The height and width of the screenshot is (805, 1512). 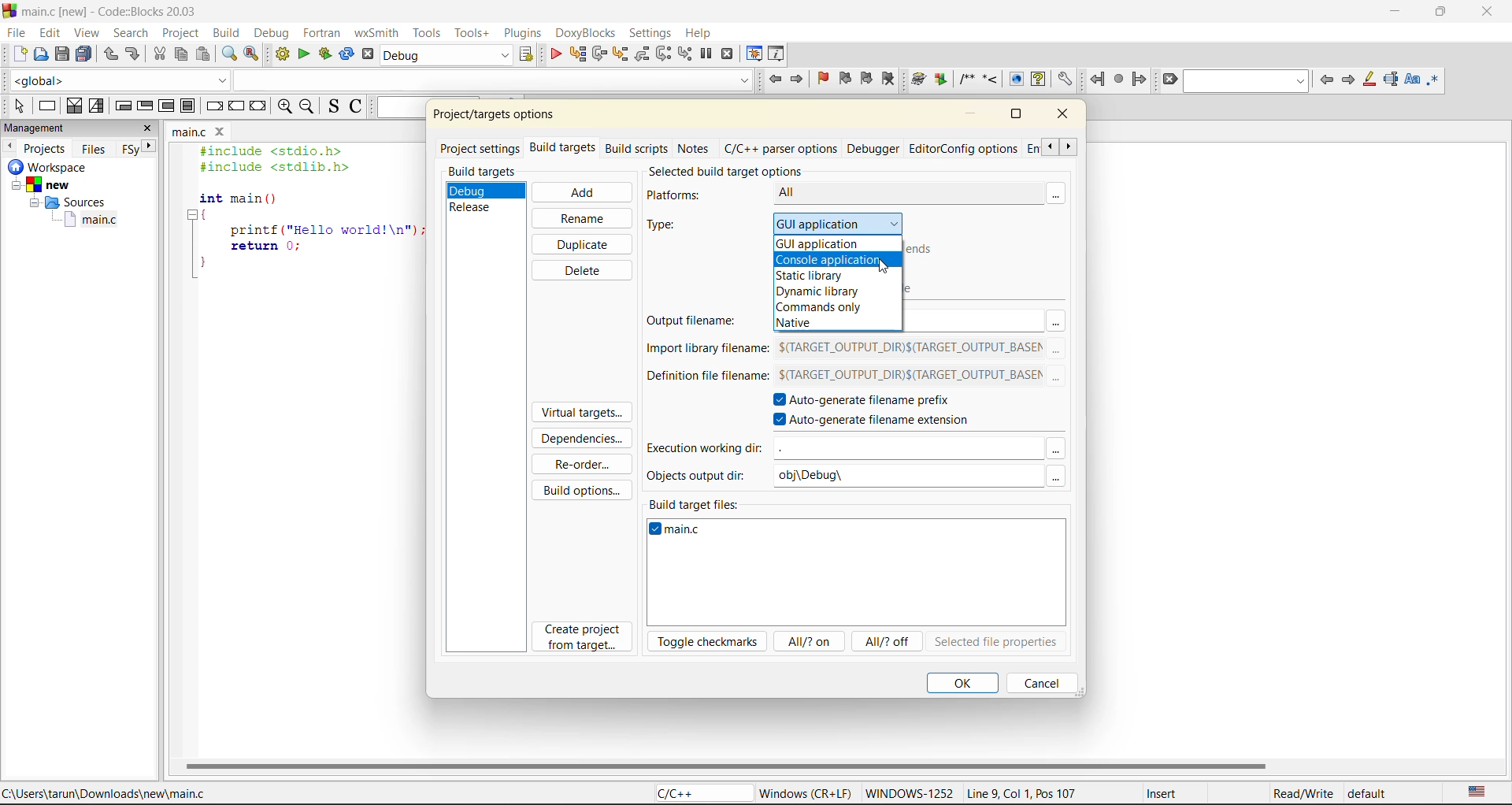 I want to click on build scripts, so click(x=636, y=148).